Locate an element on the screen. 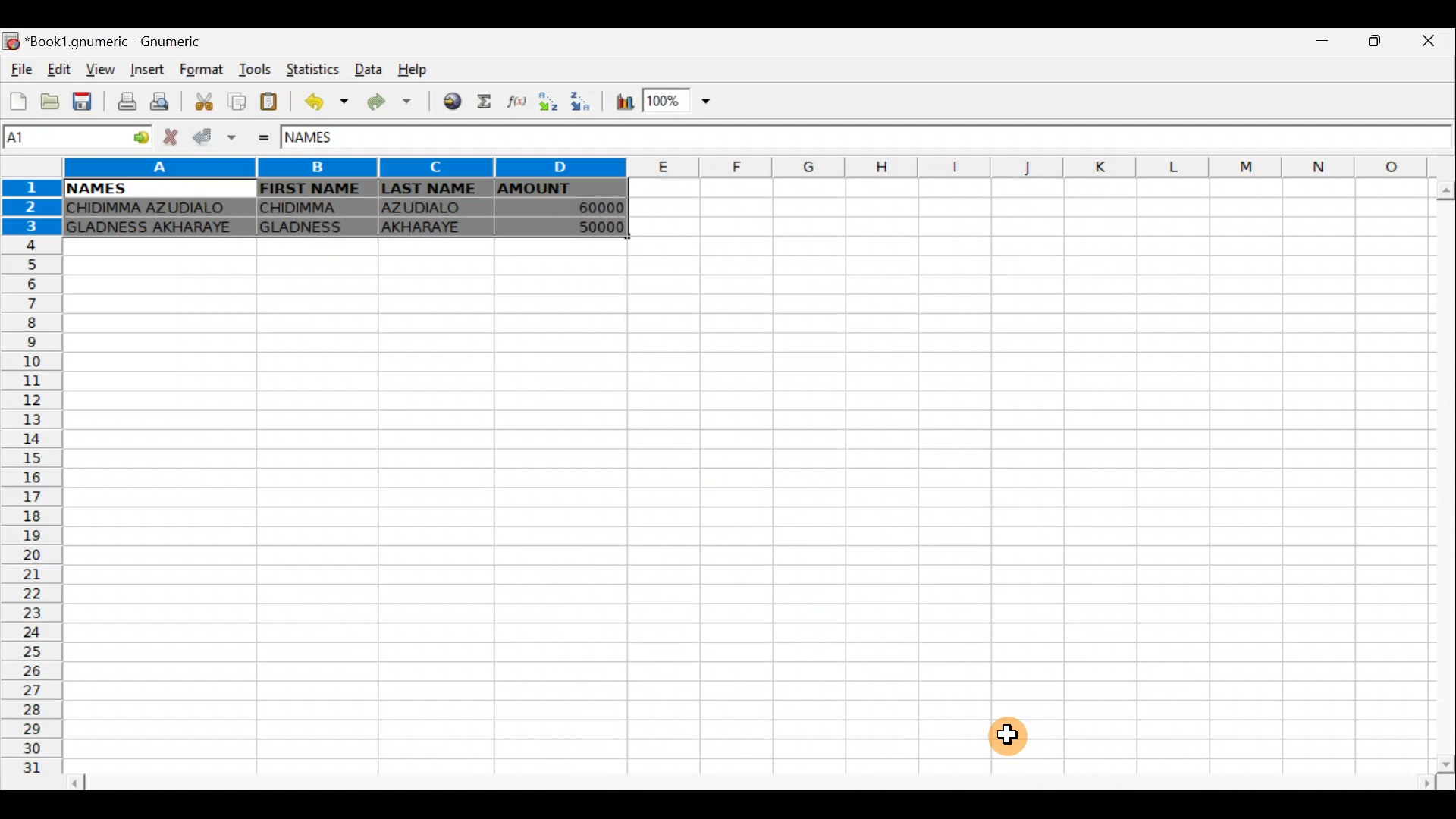 Image resolution: width=1456 pixels, height=819 pixels. Data is located at coordinates (366, 67).